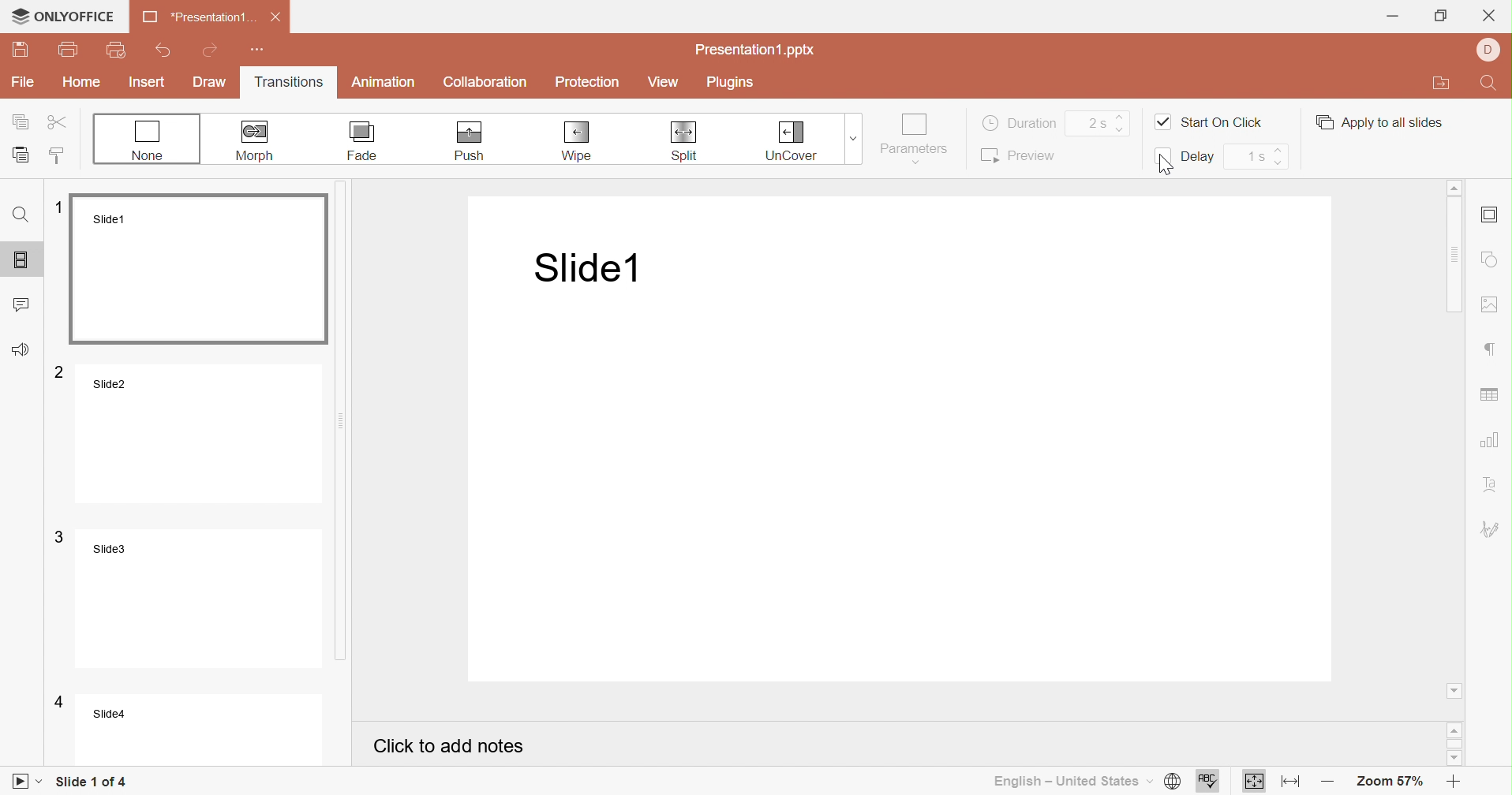 The width and height of the screenshot is (1512, 795). Describe the element at coordinates (1494, 530) in the screenshot. I see `Signature` at that location.